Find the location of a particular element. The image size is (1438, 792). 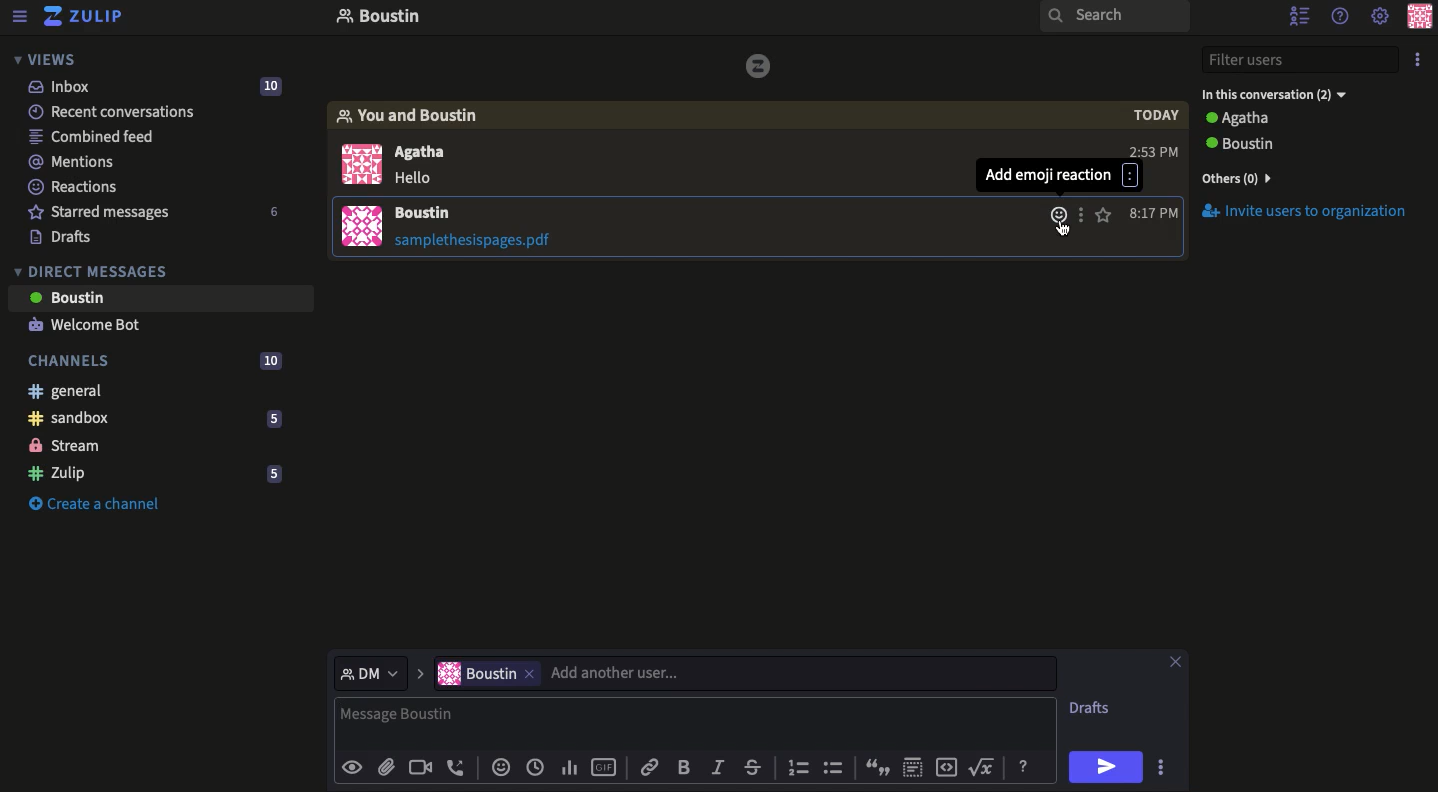

Strikethrough  is located at coordinates (754, 767).